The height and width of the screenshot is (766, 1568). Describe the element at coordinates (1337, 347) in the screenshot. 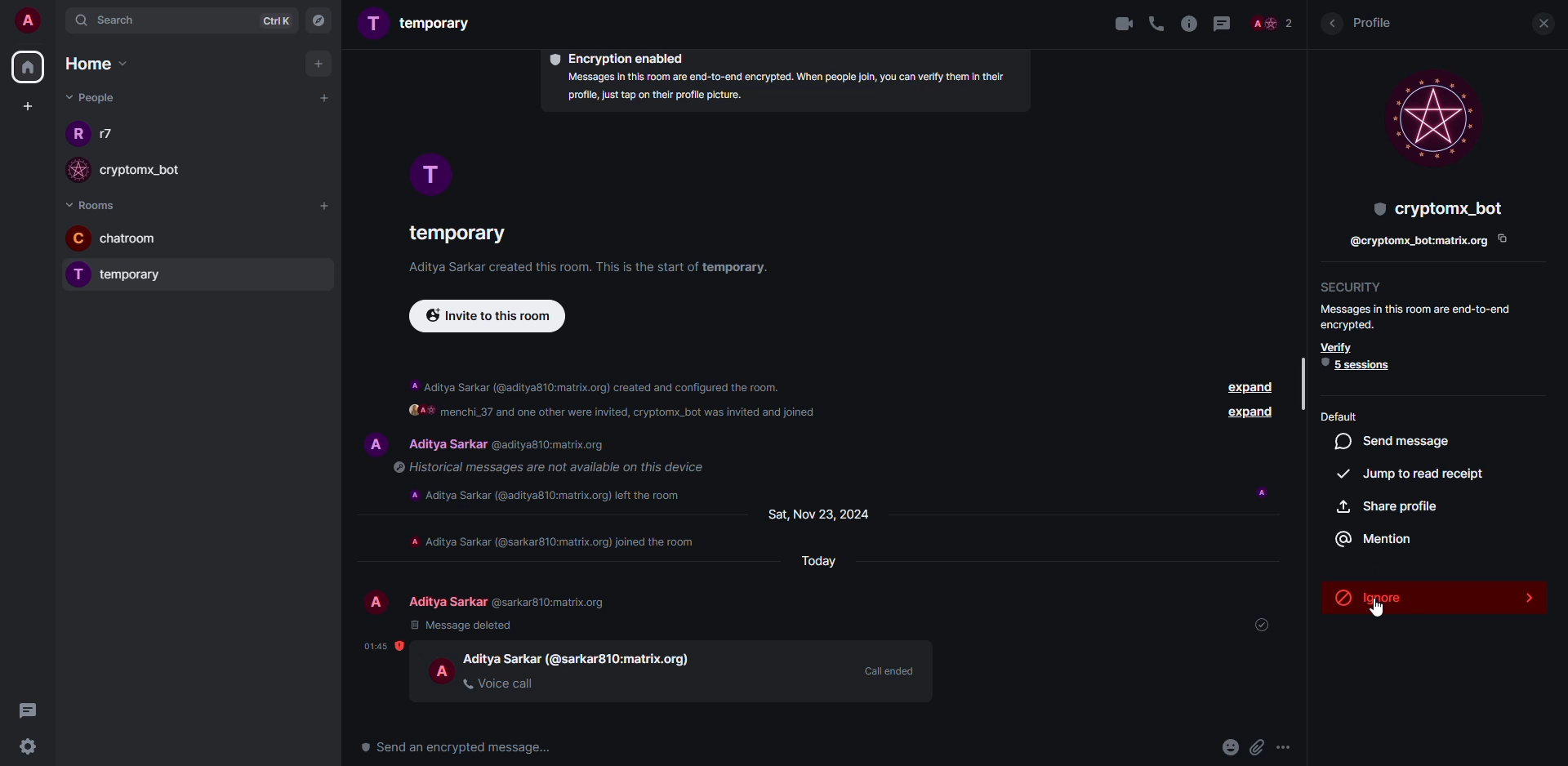

I see `verify` at that location.